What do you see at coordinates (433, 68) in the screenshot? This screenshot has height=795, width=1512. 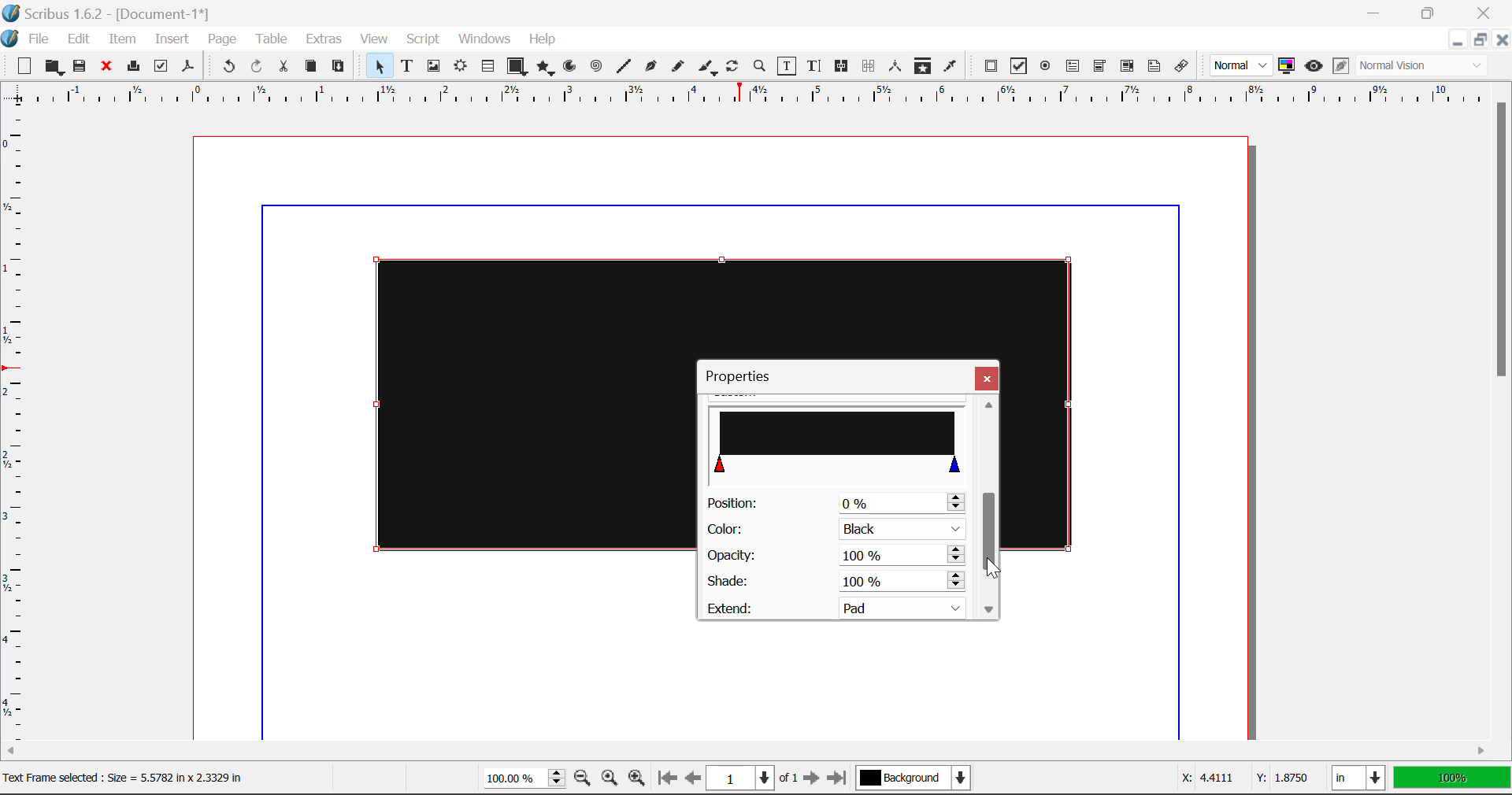 I see `Image Frame` at bounding box center [433, 68].